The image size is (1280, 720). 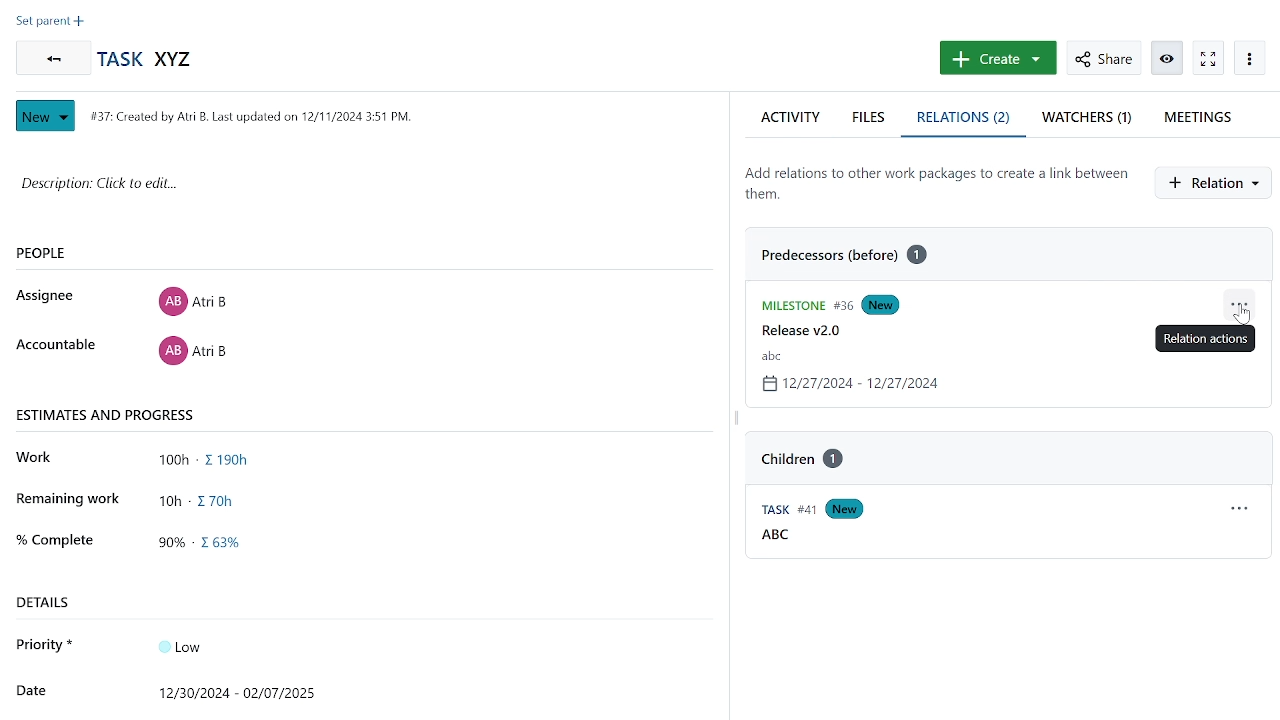 I want to click on meetings, so click(x=1203, y=117).